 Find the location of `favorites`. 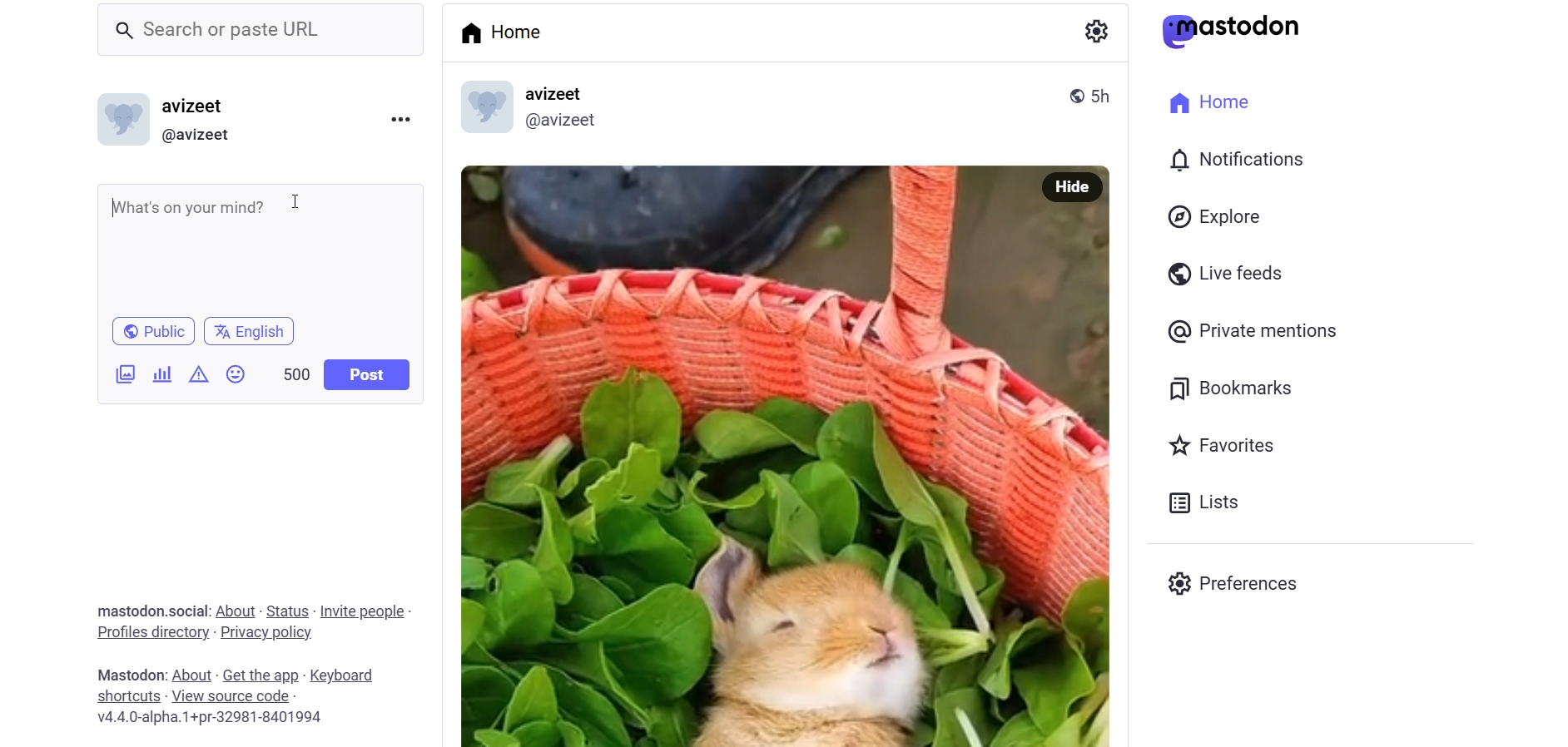

favorites is located at coordinates (1228, 448).